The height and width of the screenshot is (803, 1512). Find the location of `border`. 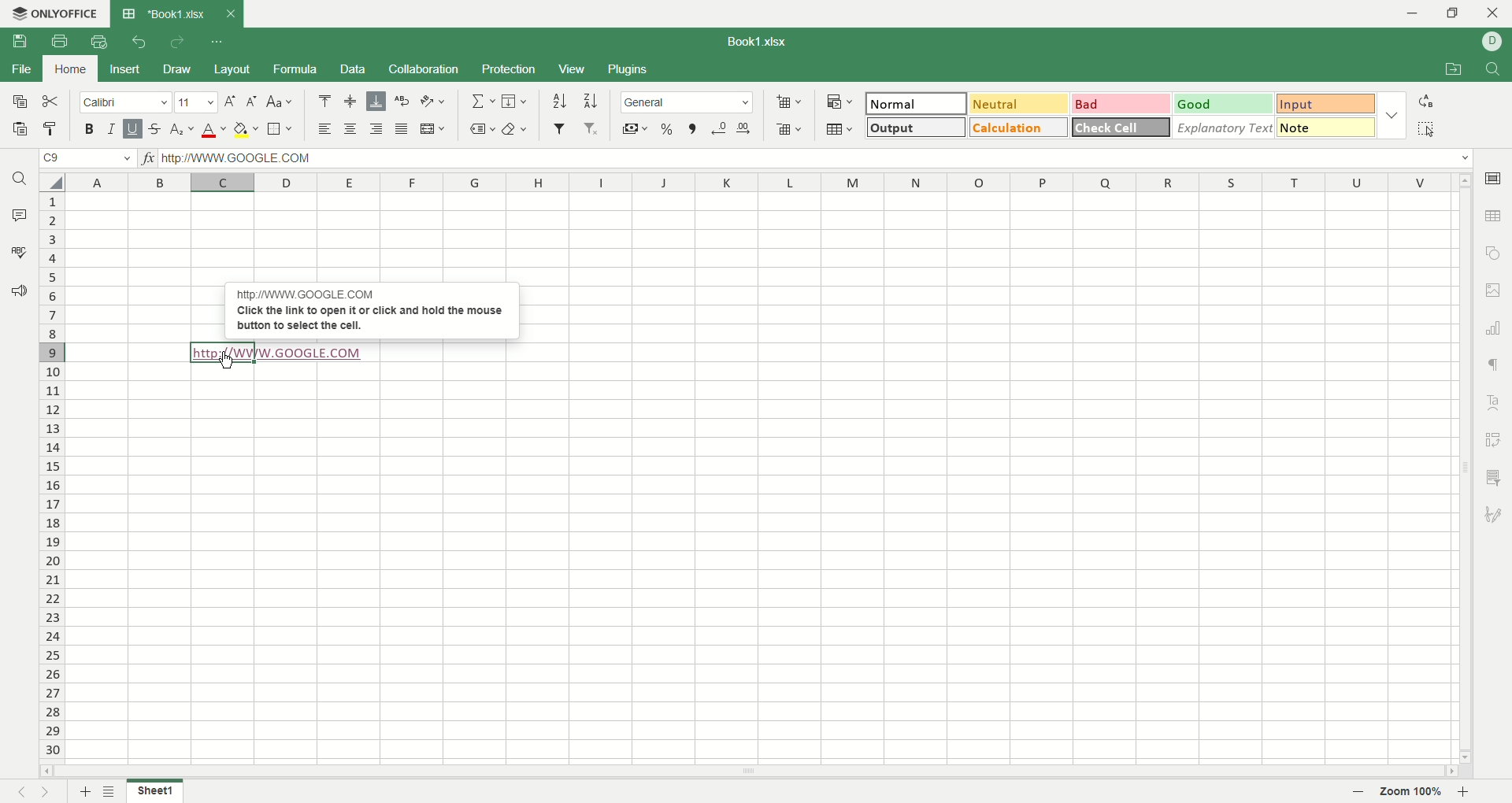

border is located at coordinates (278, 130).